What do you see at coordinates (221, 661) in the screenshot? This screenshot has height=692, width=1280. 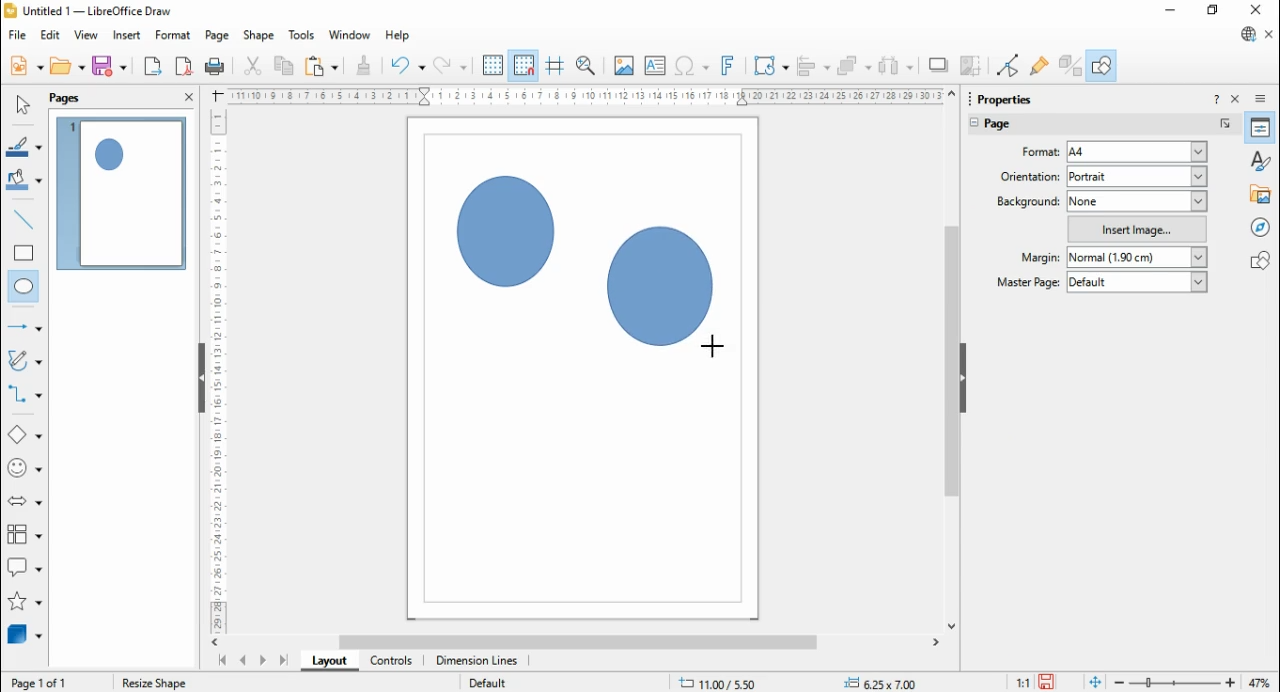 I see `first page` at bounding box center [221, 661].